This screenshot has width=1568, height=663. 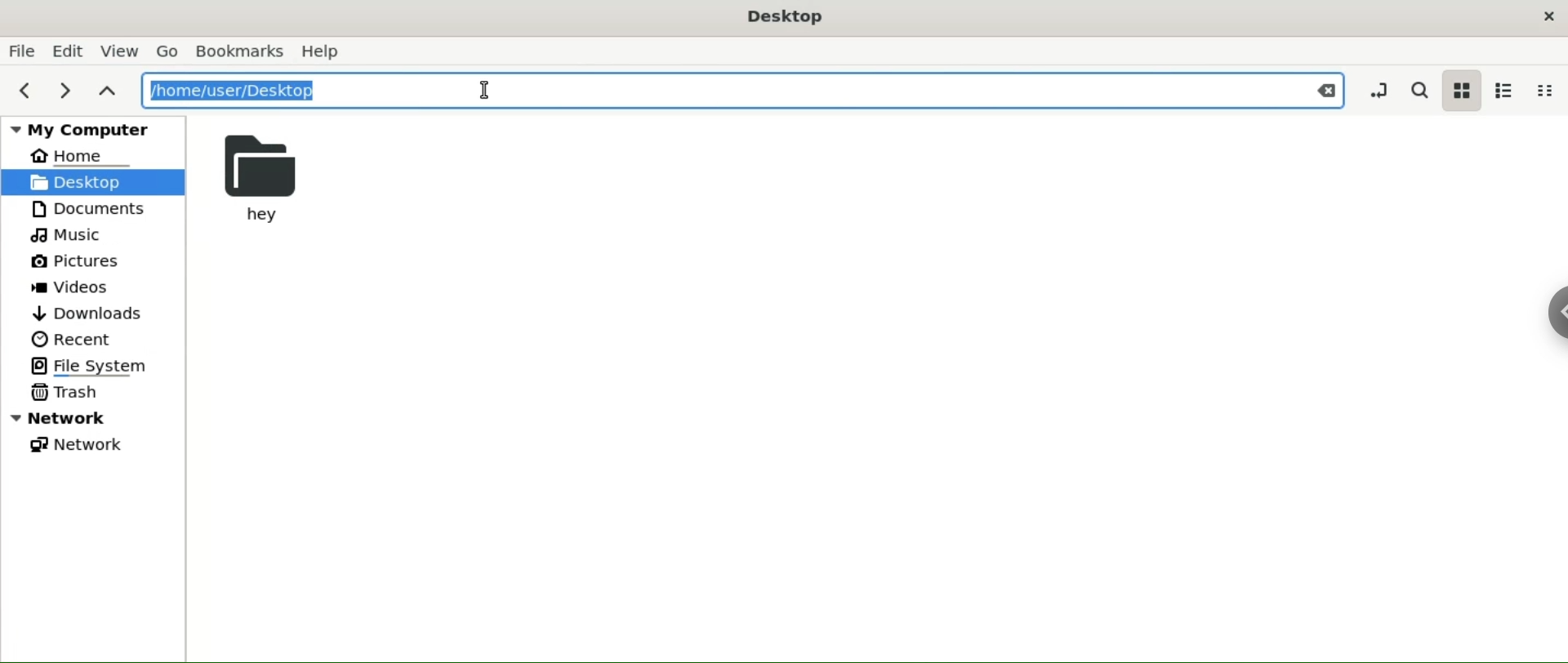 I want to click on list view, so click(x=1504, y=88).